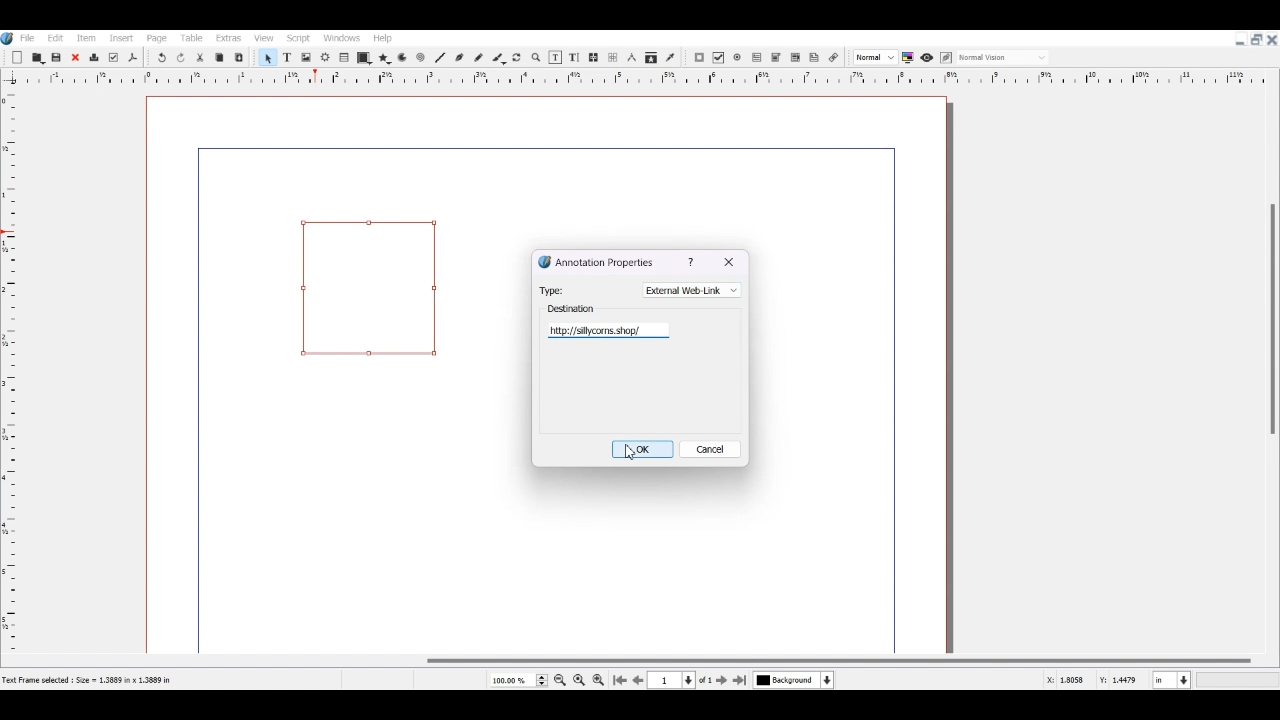 Image resolution: width=1280 pixels, height=720 pixels. What do you see at coordinates (631, 58) in the screenshot?
I see `Measurements` at bounding box center [631, 58].